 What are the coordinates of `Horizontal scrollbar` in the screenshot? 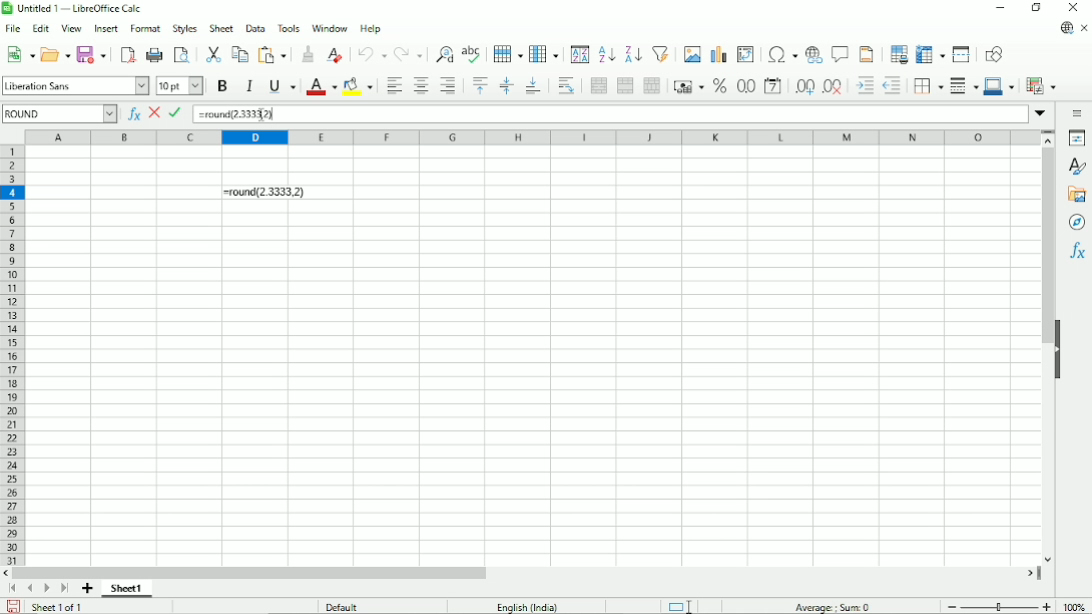 It's located at (249, 573).